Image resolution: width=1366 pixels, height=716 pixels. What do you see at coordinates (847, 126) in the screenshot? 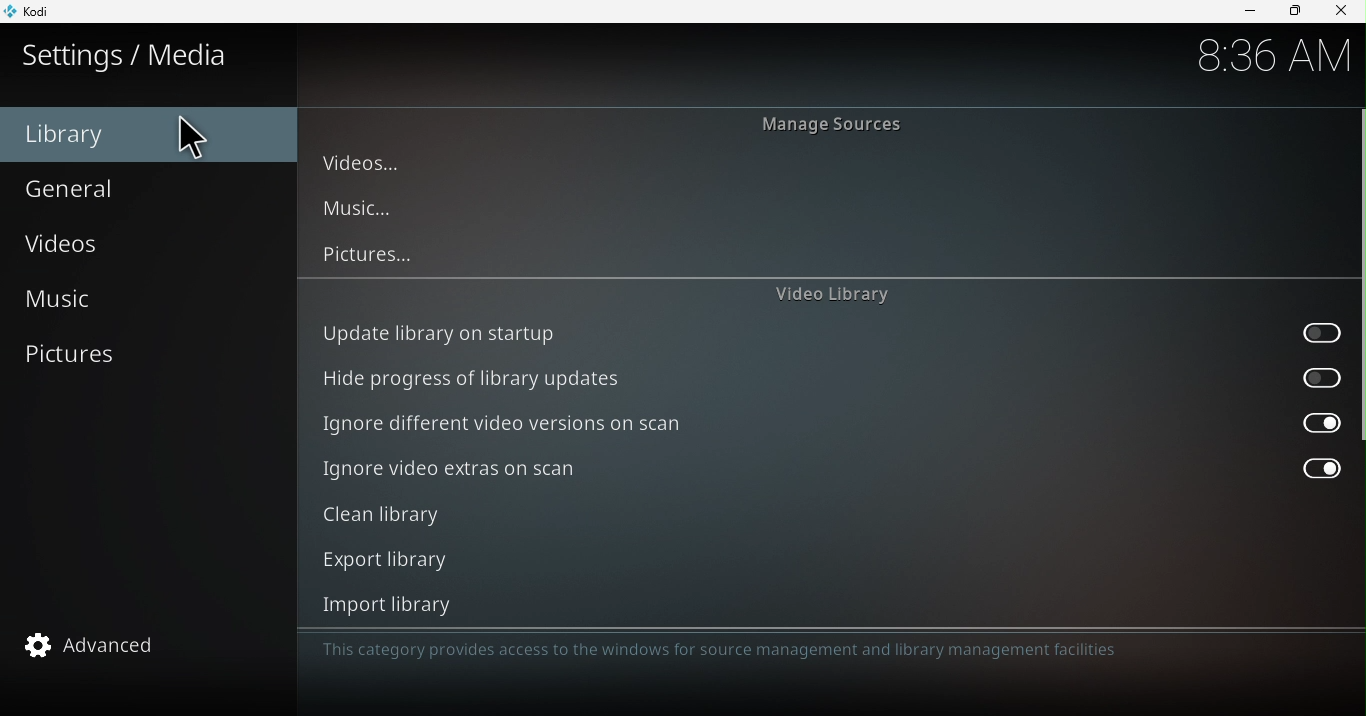
I see `Manage sources` at bounding box center [847, 126].